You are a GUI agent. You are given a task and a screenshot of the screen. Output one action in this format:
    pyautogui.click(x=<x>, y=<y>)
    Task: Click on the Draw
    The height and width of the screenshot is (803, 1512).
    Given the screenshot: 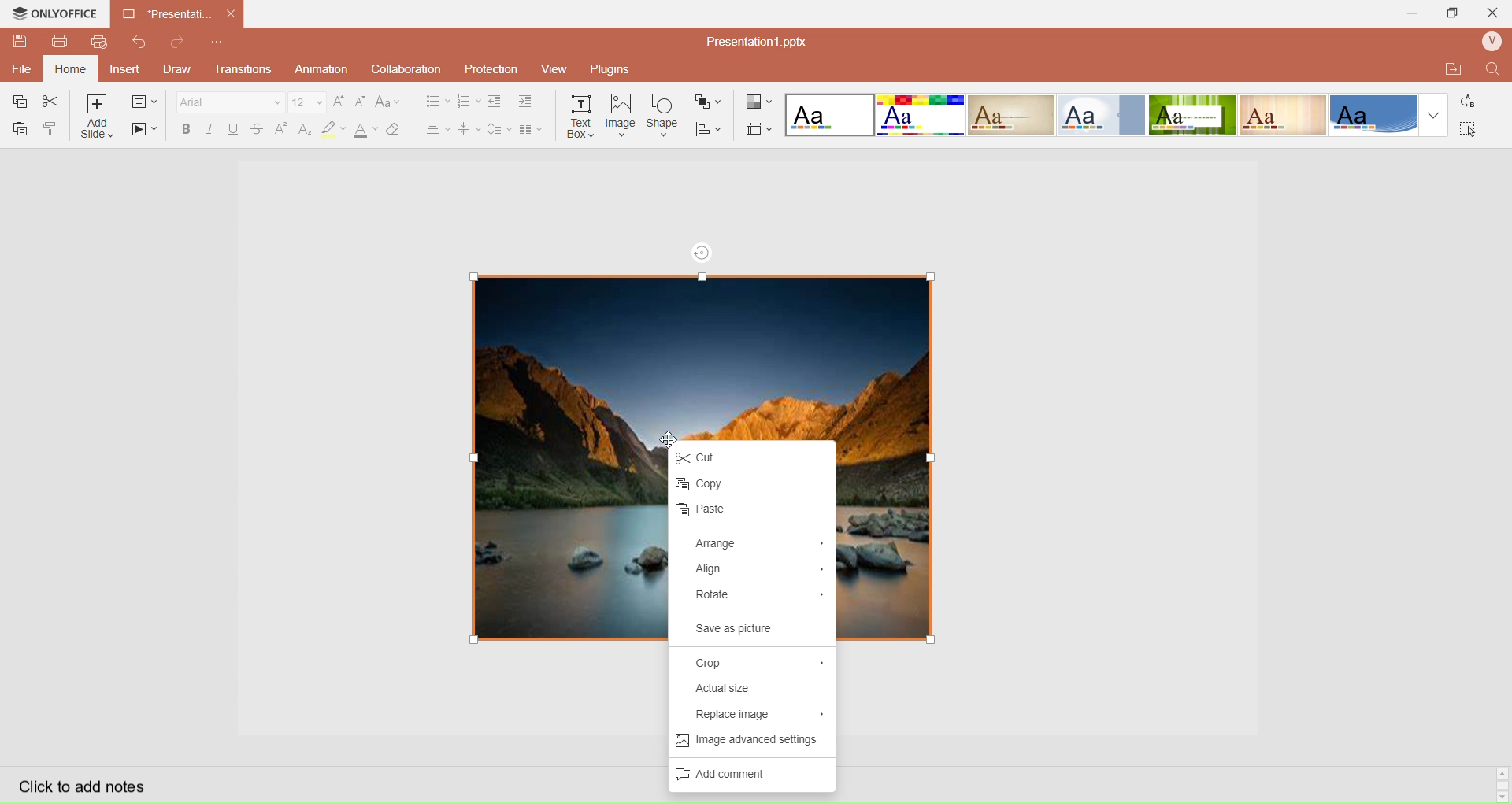 What is the action you would take?
    pyautogui.click(x=177, y=70)
    